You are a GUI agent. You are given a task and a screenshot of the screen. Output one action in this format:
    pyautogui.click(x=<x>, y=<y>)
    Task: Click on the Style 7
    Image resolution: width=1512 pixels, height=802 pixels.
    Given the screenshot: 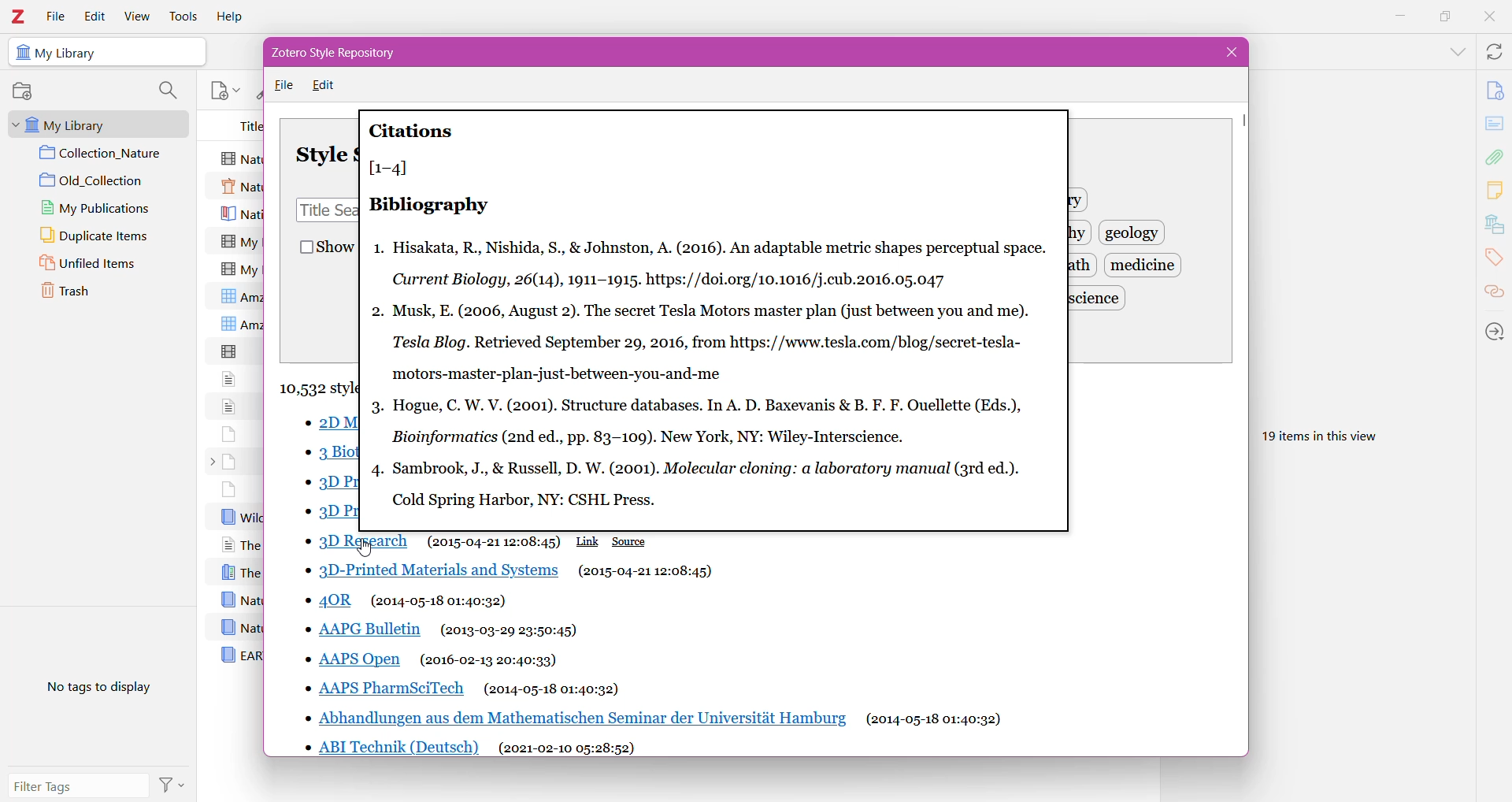 What is the action you would take?
    pyautogui.click(x=333, y=600)
    